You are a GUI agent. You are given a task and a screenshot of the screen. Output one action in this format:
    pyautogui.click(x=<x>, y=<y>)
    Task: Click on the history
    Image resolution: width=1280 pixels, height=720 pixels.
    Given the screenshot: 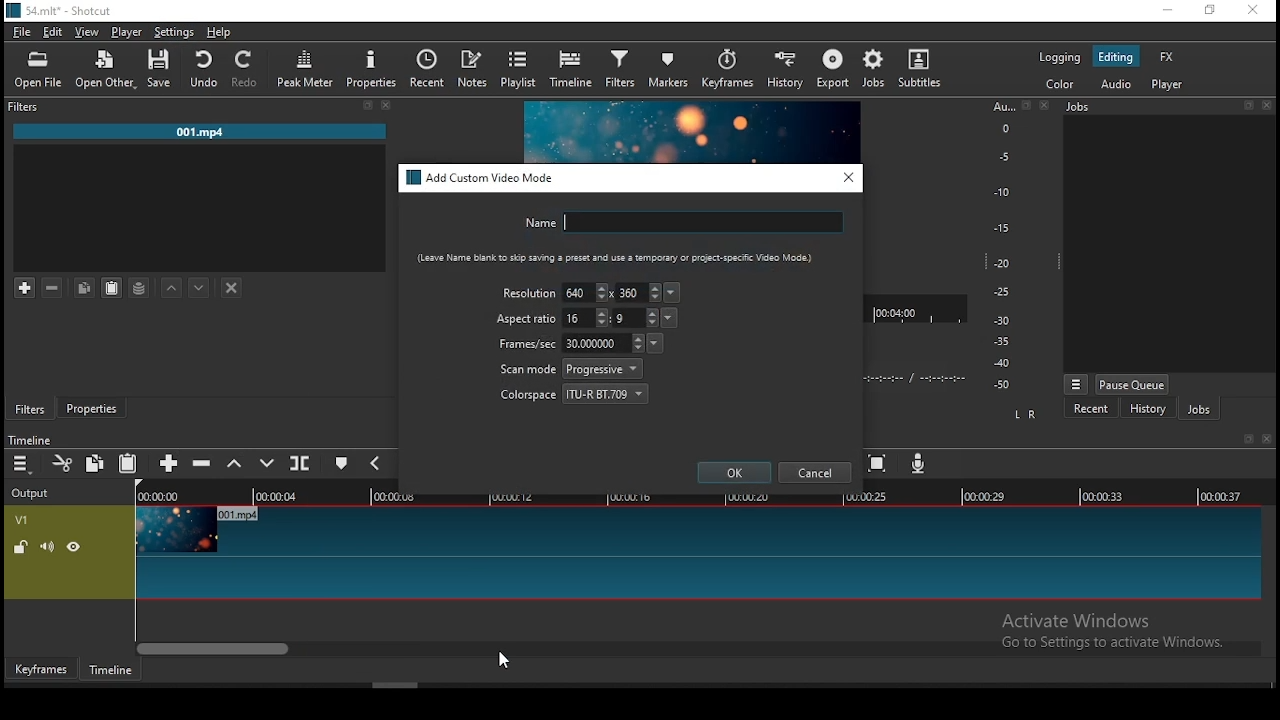 What is the action you would take?
    pyautogui.click(x=781, y=71)
    